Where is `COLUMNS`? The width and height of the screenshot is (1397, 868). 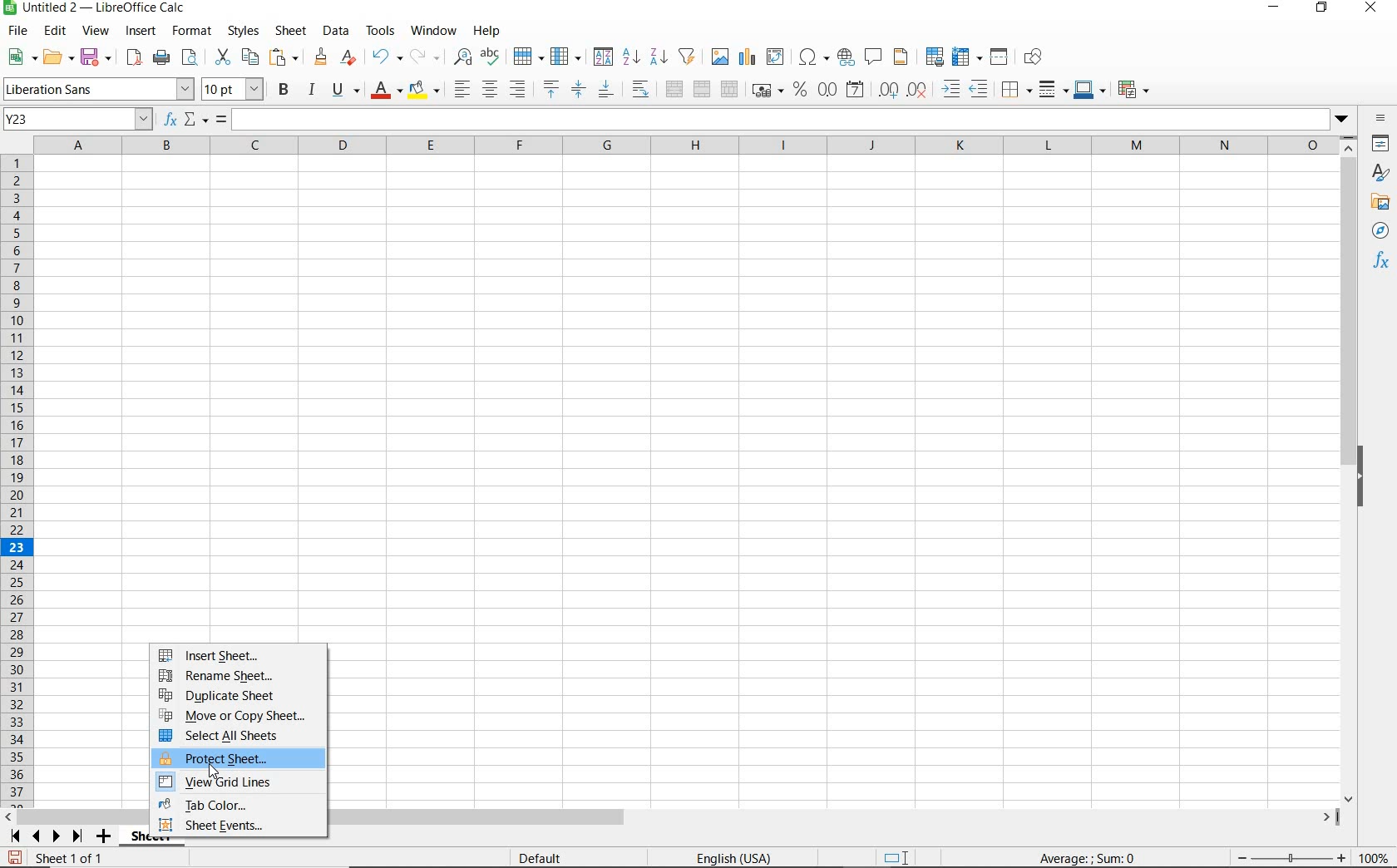
COLUMNS is located at coordinates (689, 145).